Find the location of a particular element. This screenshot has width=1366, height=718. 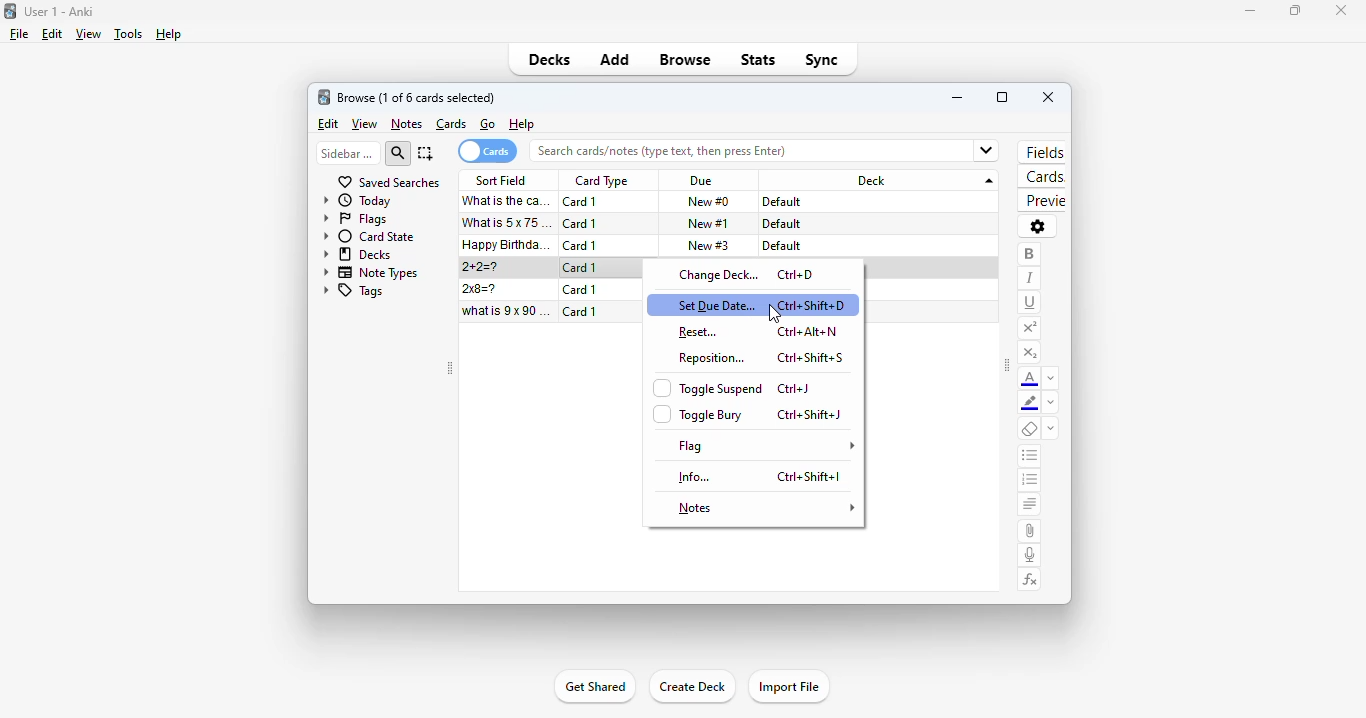

what is the capital of France? is located at coordinates (506, 201).